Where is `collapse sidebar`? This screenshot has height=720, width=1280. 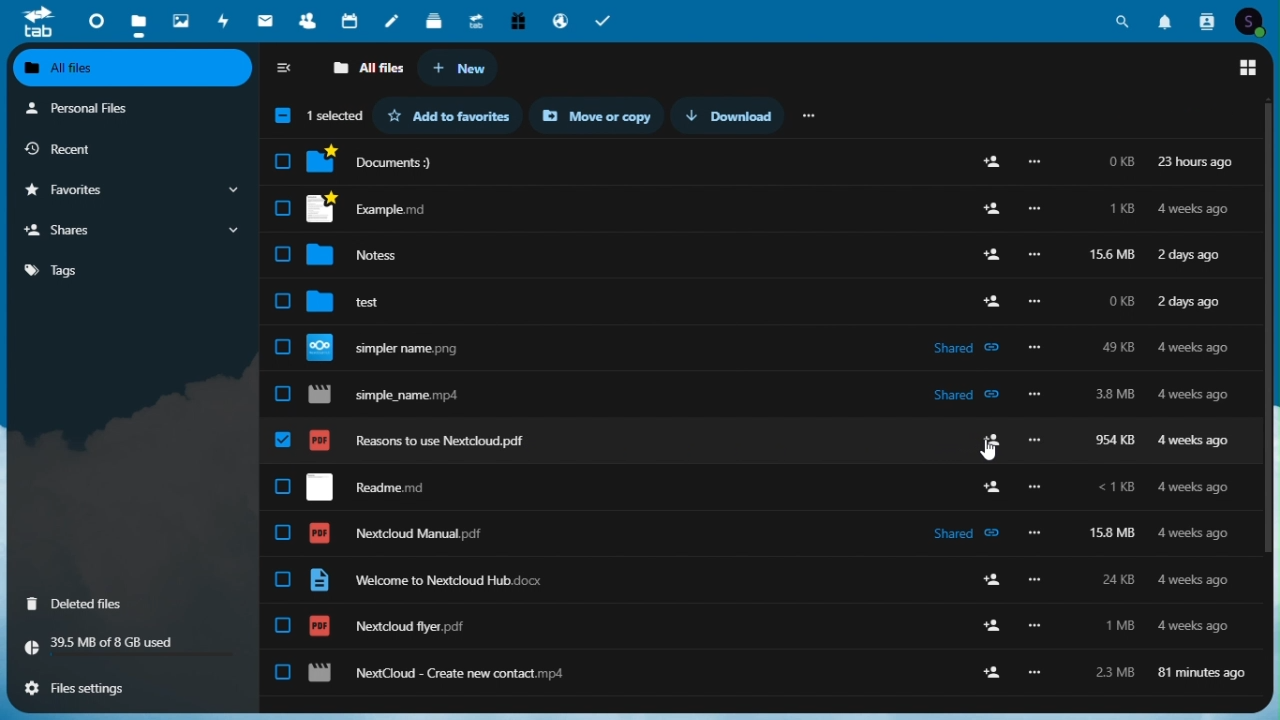
collapse sidebar is located at coordinates (289, 67).